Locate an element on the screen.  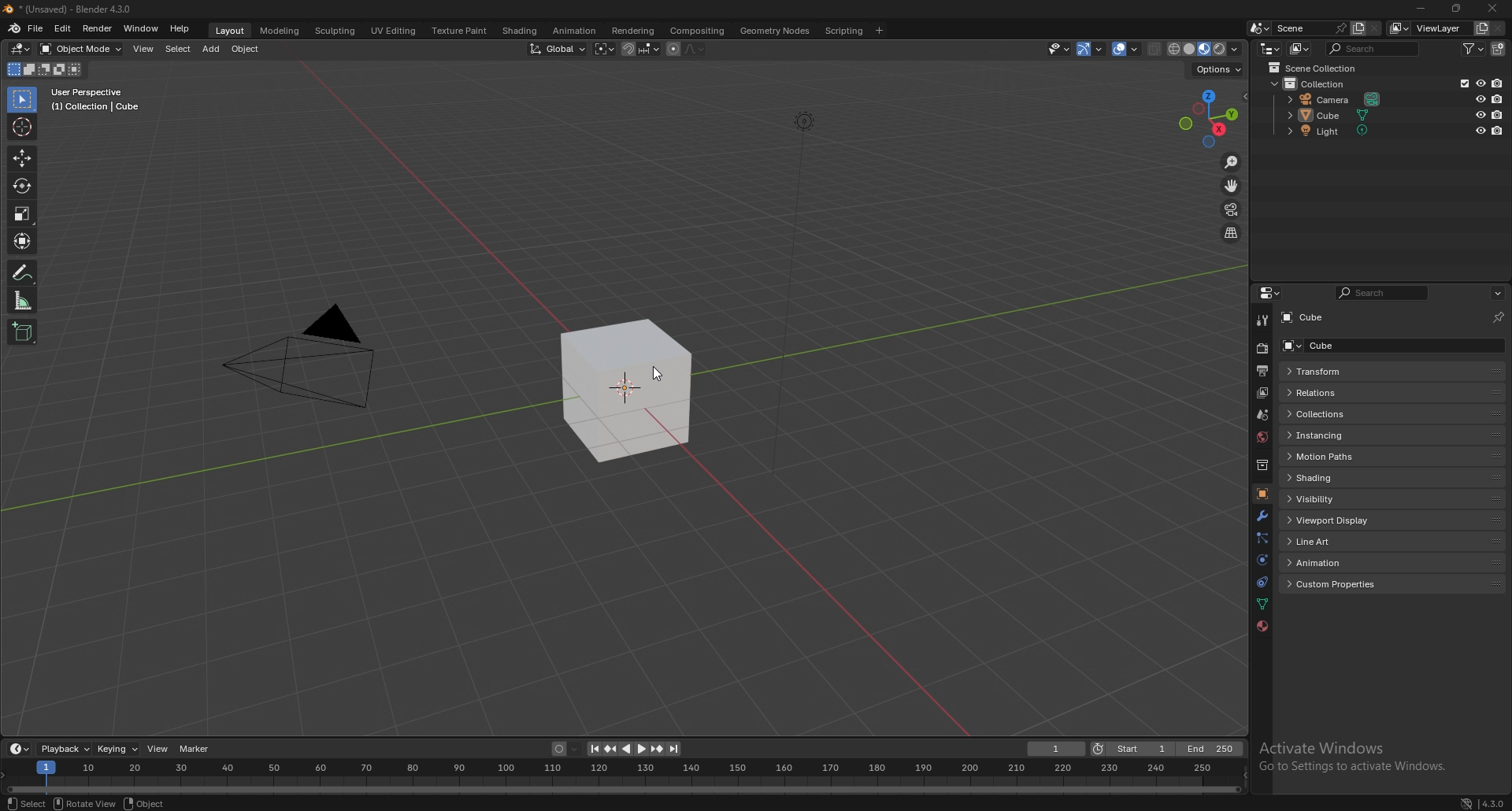
select is located at coordinates (178, 49).